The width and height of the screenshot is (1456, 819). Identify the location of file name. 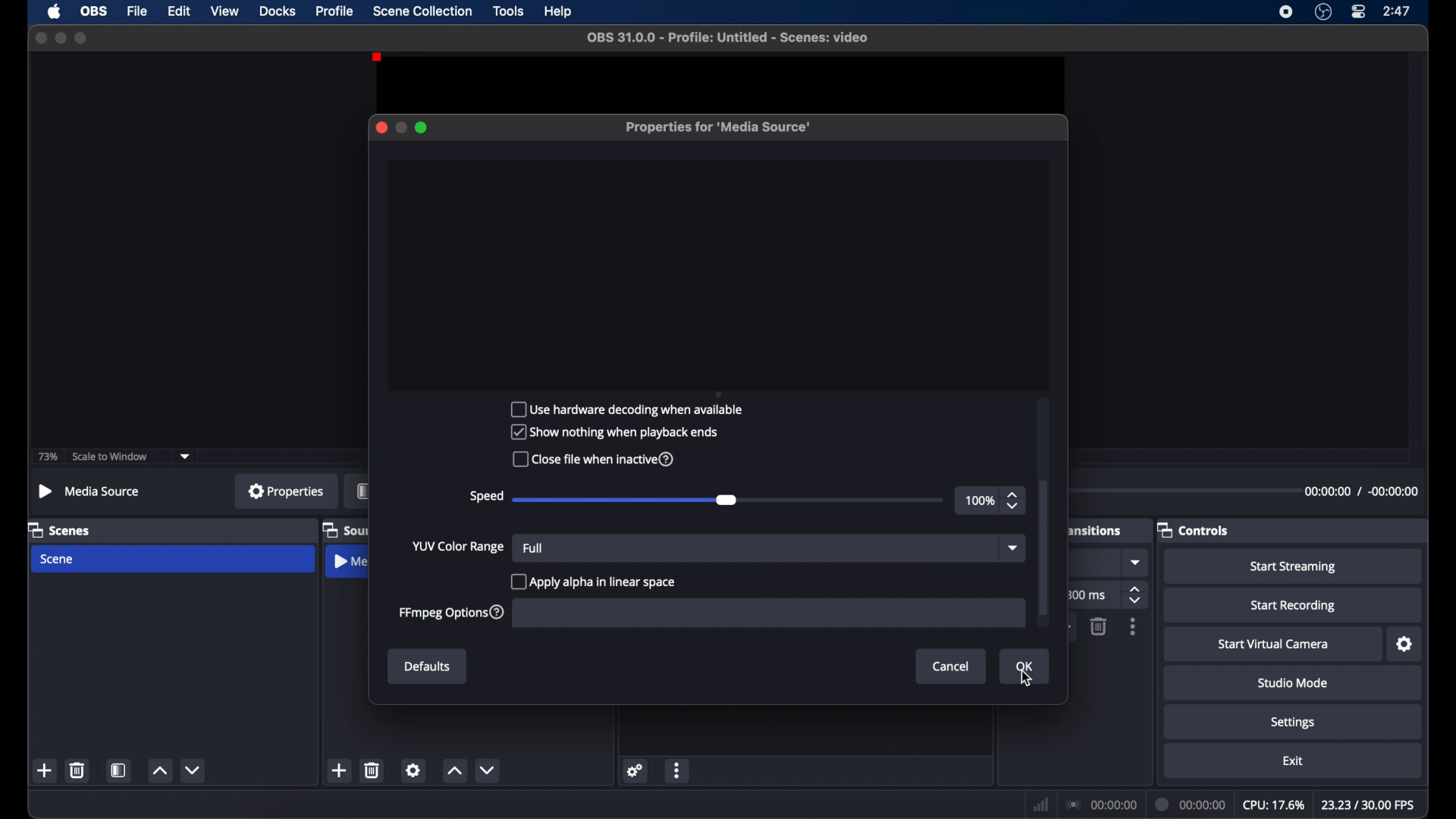
(728, 38).